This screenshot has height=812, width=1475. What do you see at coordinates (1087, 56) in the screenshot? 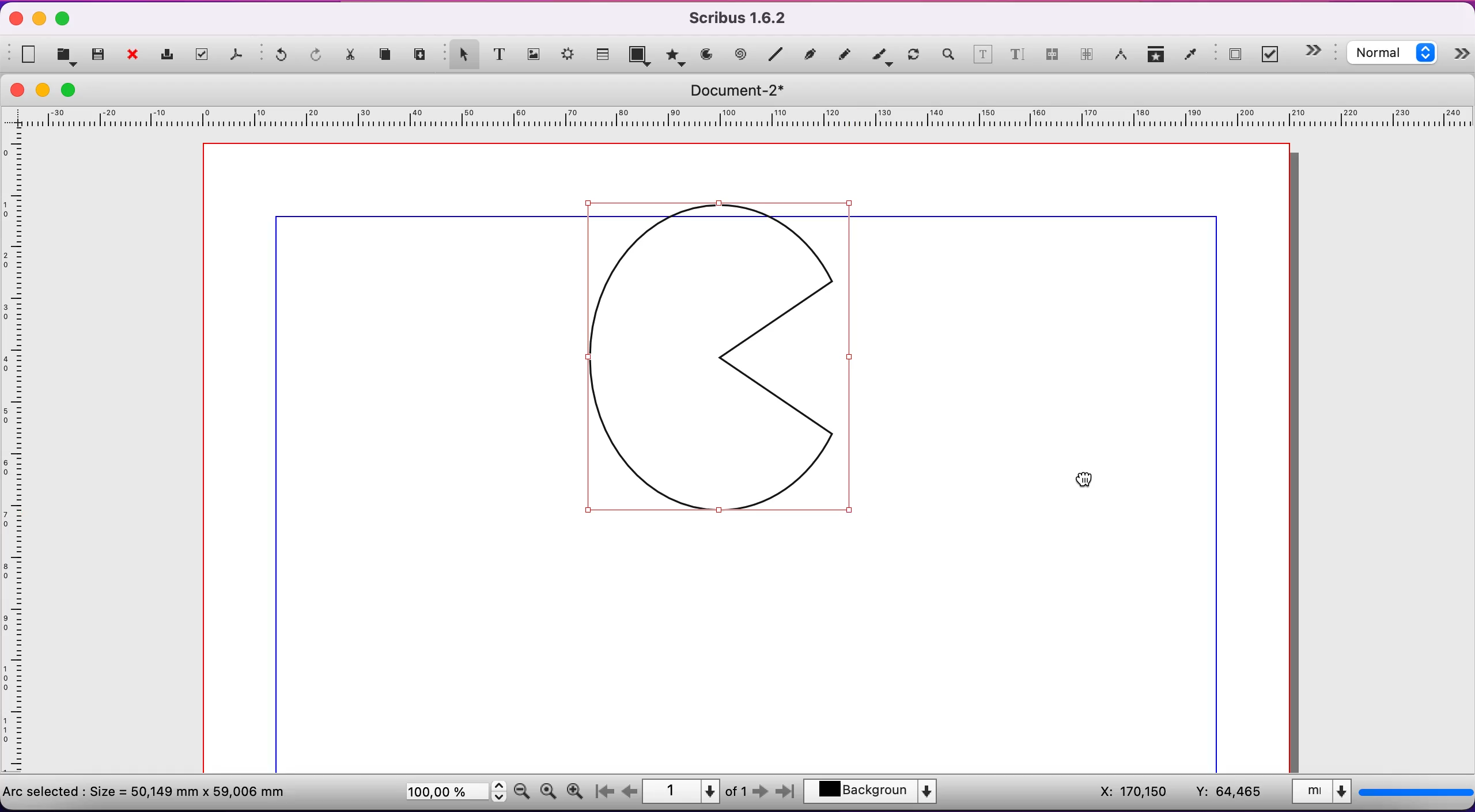
I see `unlink text frames` at bounding box center [1087, 56].